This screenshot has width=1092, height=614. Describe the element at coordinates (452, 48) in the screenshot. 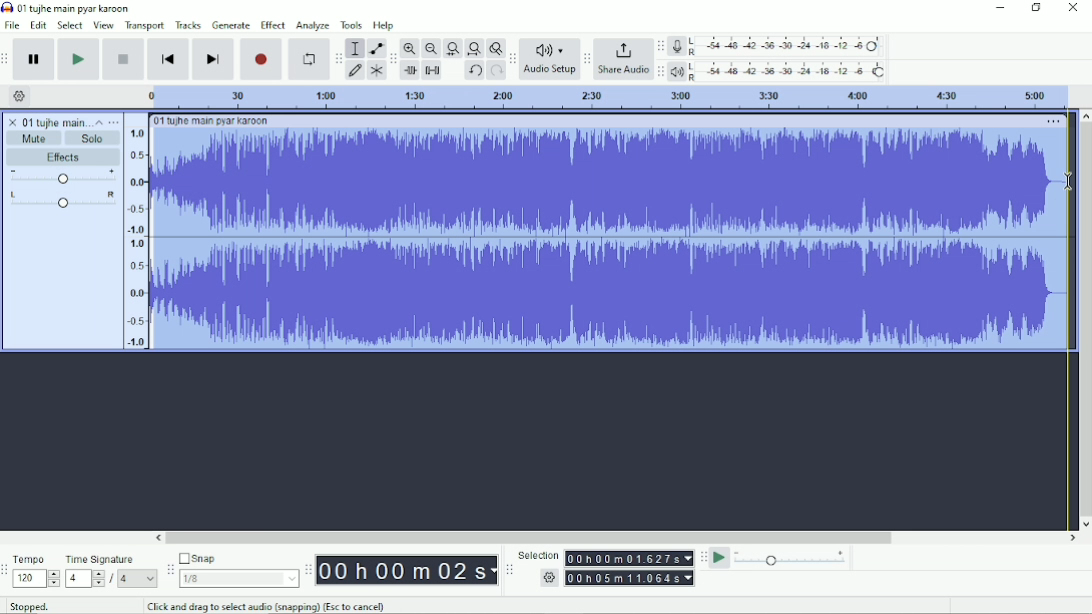

I see `Fit selection to width` at that location.